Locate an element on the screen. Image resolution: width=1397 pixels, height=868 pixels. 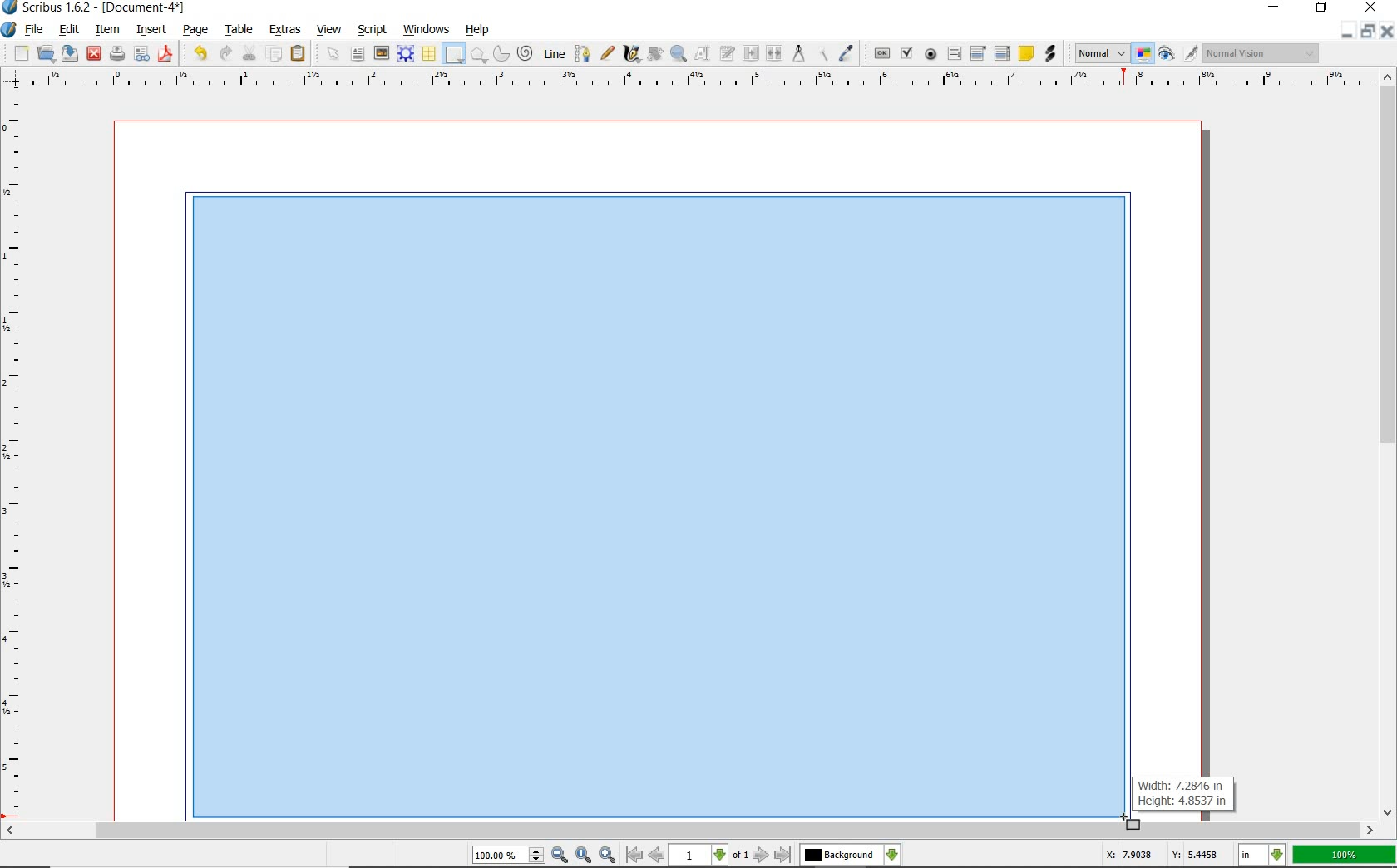
link annotation is located at coordinates (1049, 55).